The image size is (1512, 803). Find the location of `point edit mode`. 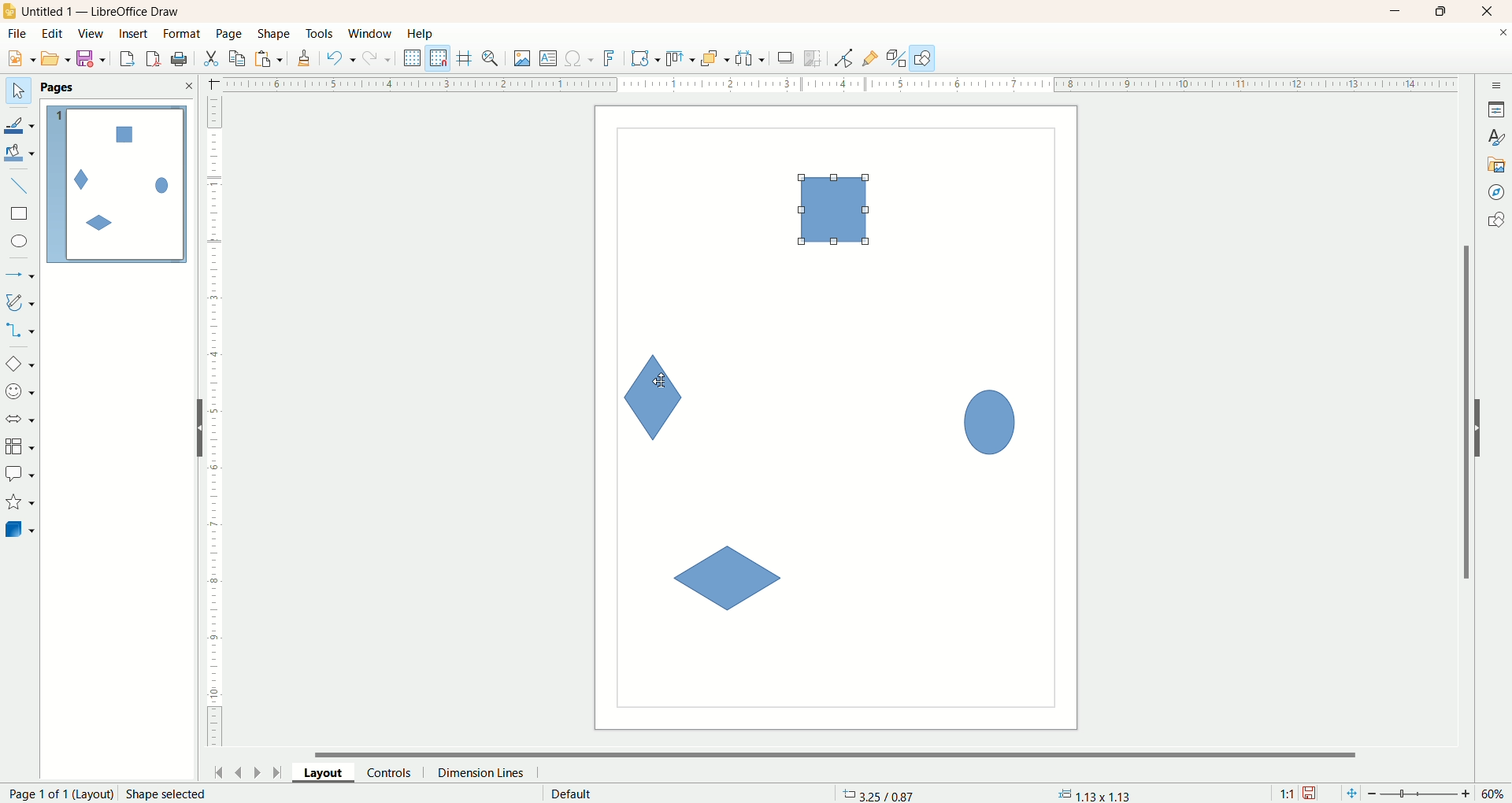

point edit mode is located at coordinates (843, 59).